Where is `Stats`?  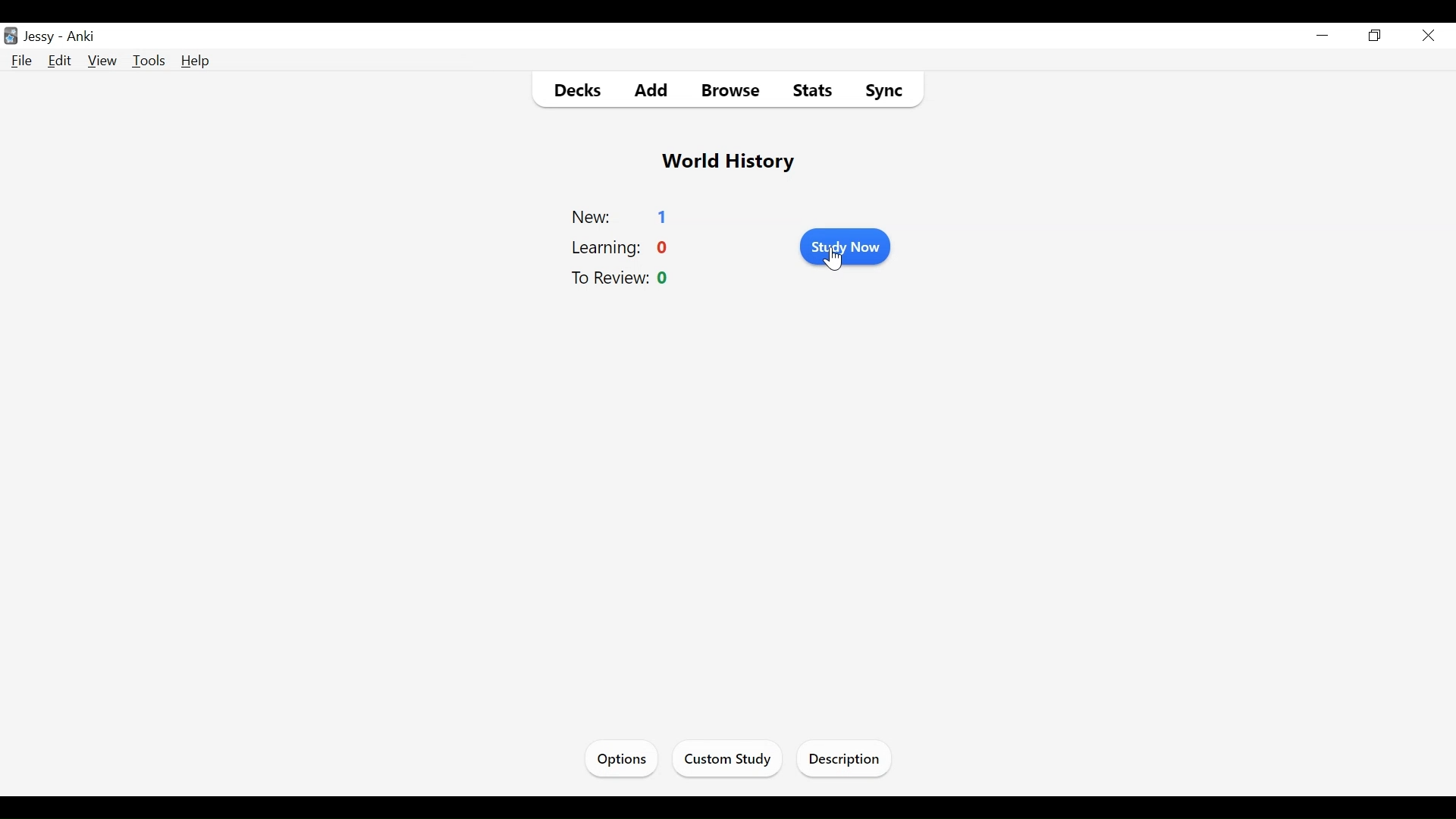
Stats is located at coordinates (811, 91).